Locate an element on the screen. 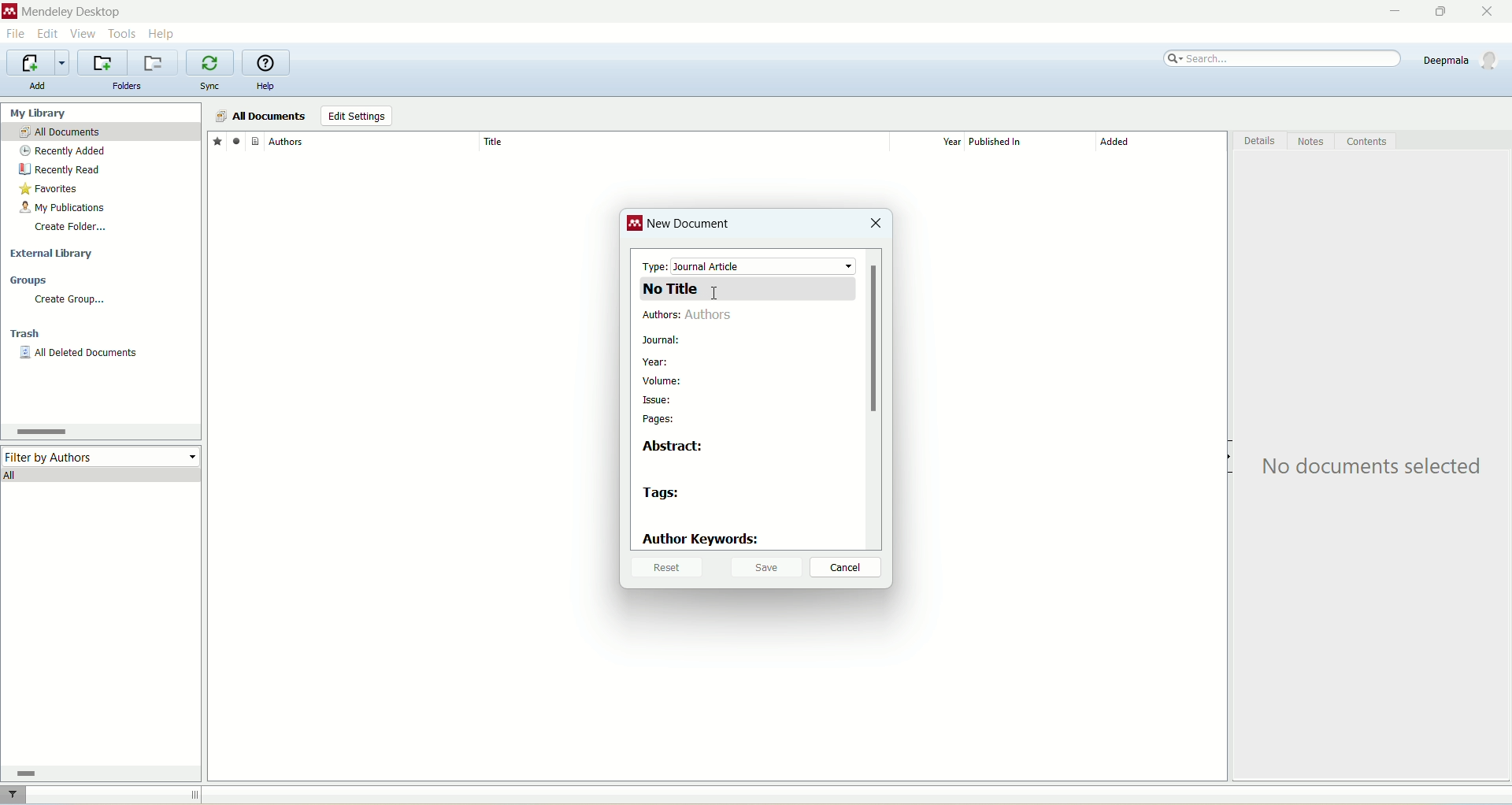 The image size is (1512, 805). create group is located at coordinates (69, 299).